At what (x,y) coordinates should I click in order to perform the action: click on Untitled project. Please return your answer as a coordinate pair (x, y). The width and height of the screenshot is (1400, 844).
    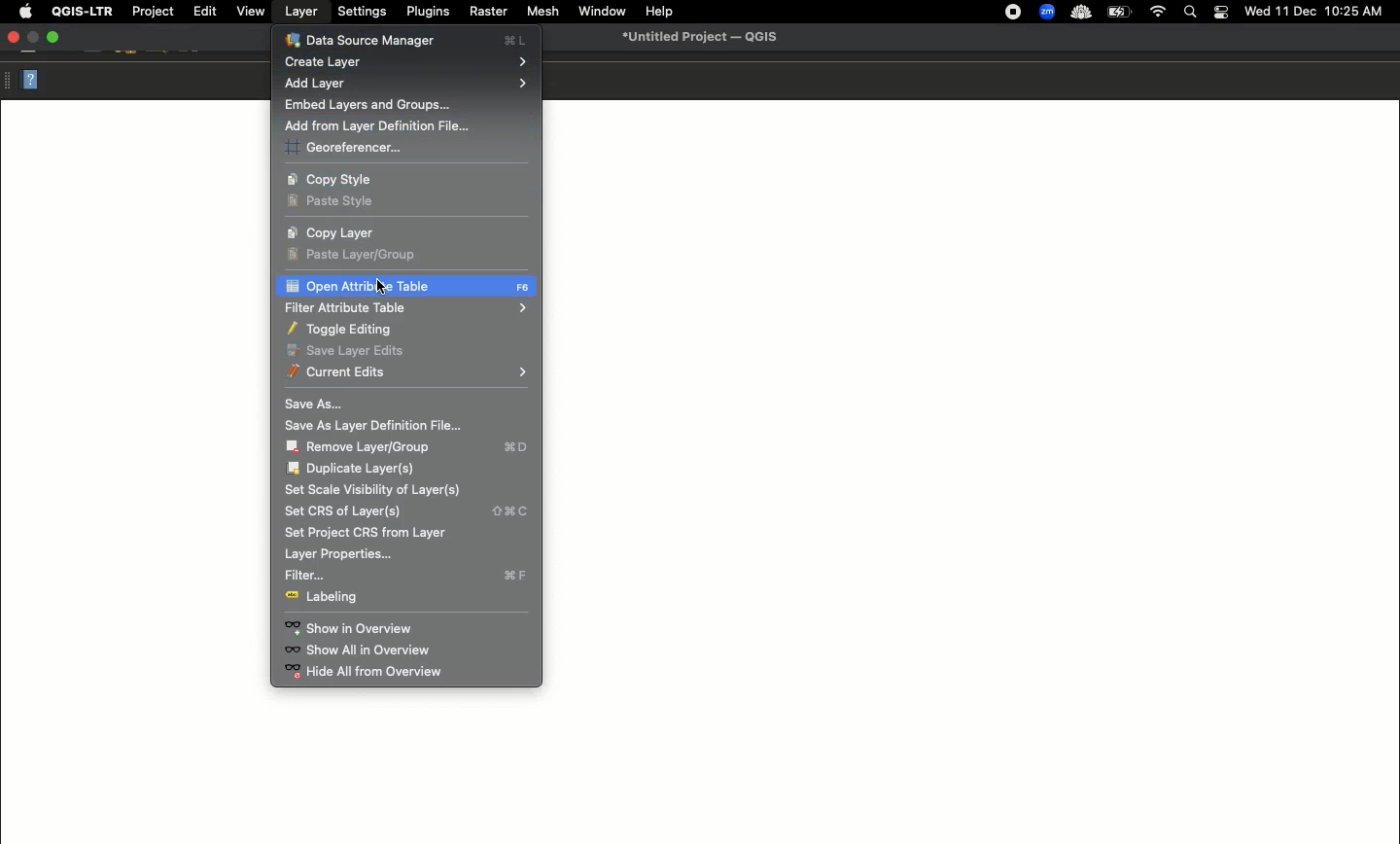
    Looking at the image, I should click on (696, 38).